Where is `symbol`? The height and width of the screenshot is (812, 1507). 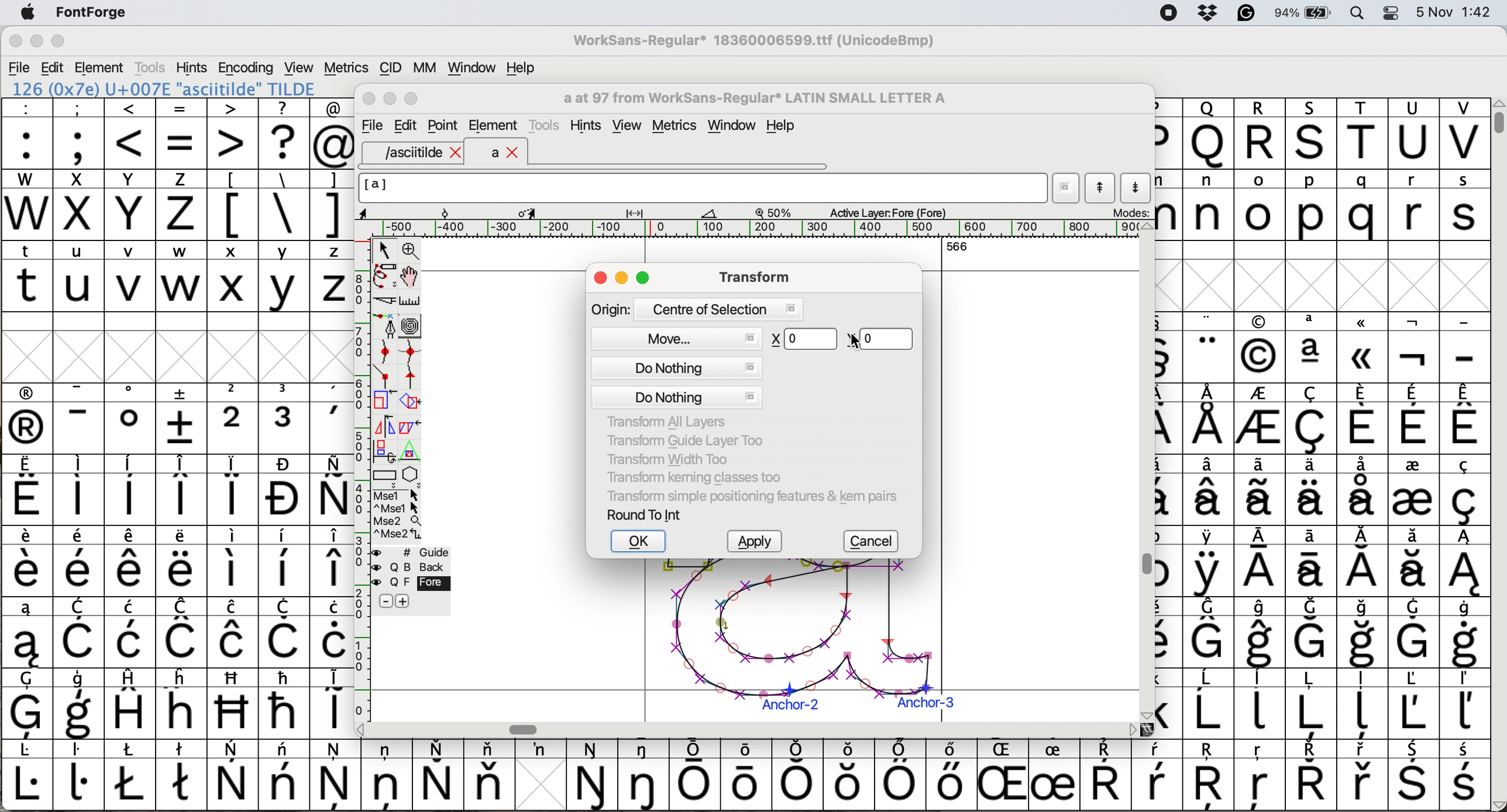 symbol is located at coordinates (132, 562).